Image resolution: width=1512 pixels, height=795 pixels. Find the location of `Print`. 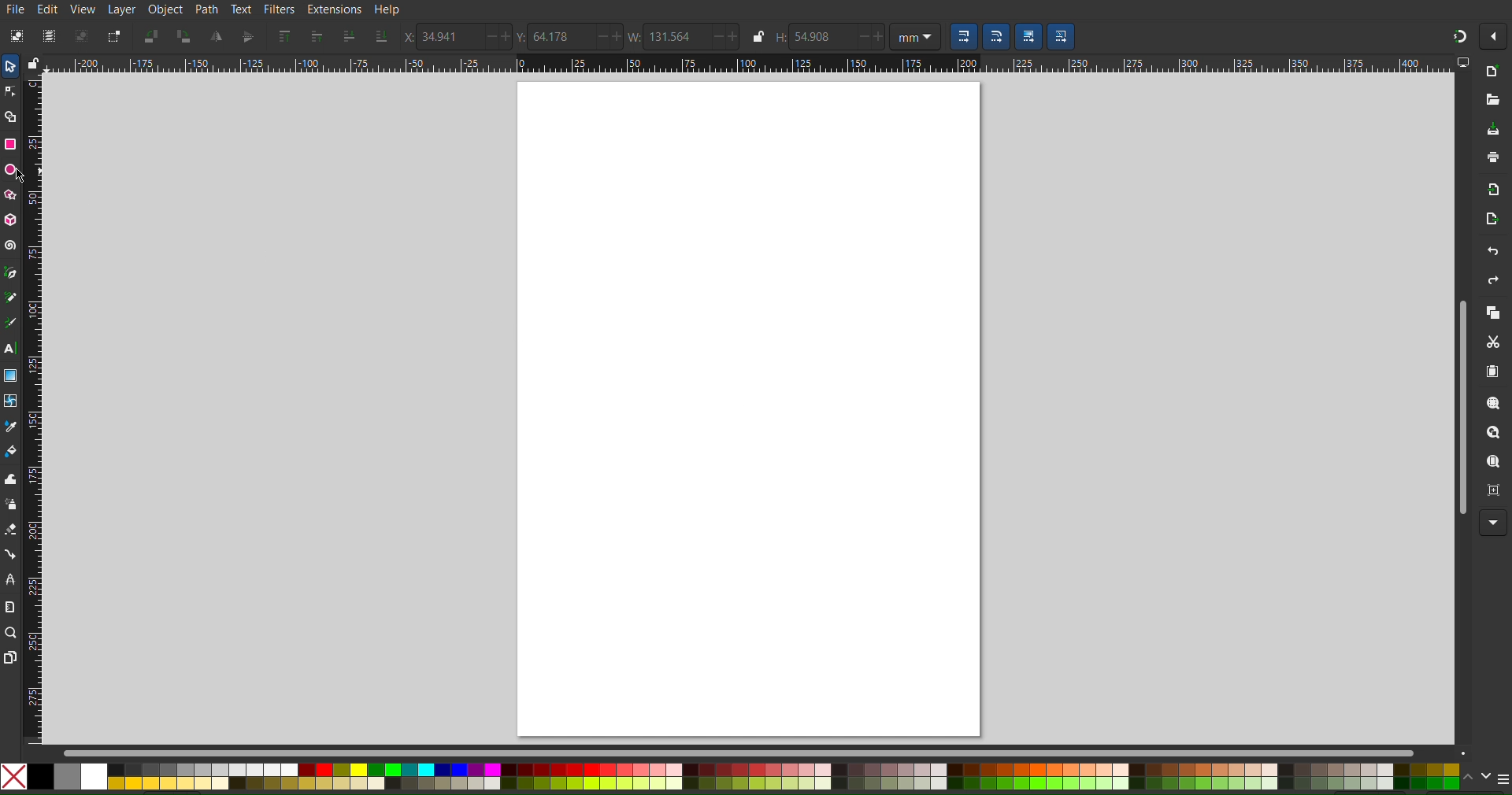

Print is located at coordinates (1492, 159).